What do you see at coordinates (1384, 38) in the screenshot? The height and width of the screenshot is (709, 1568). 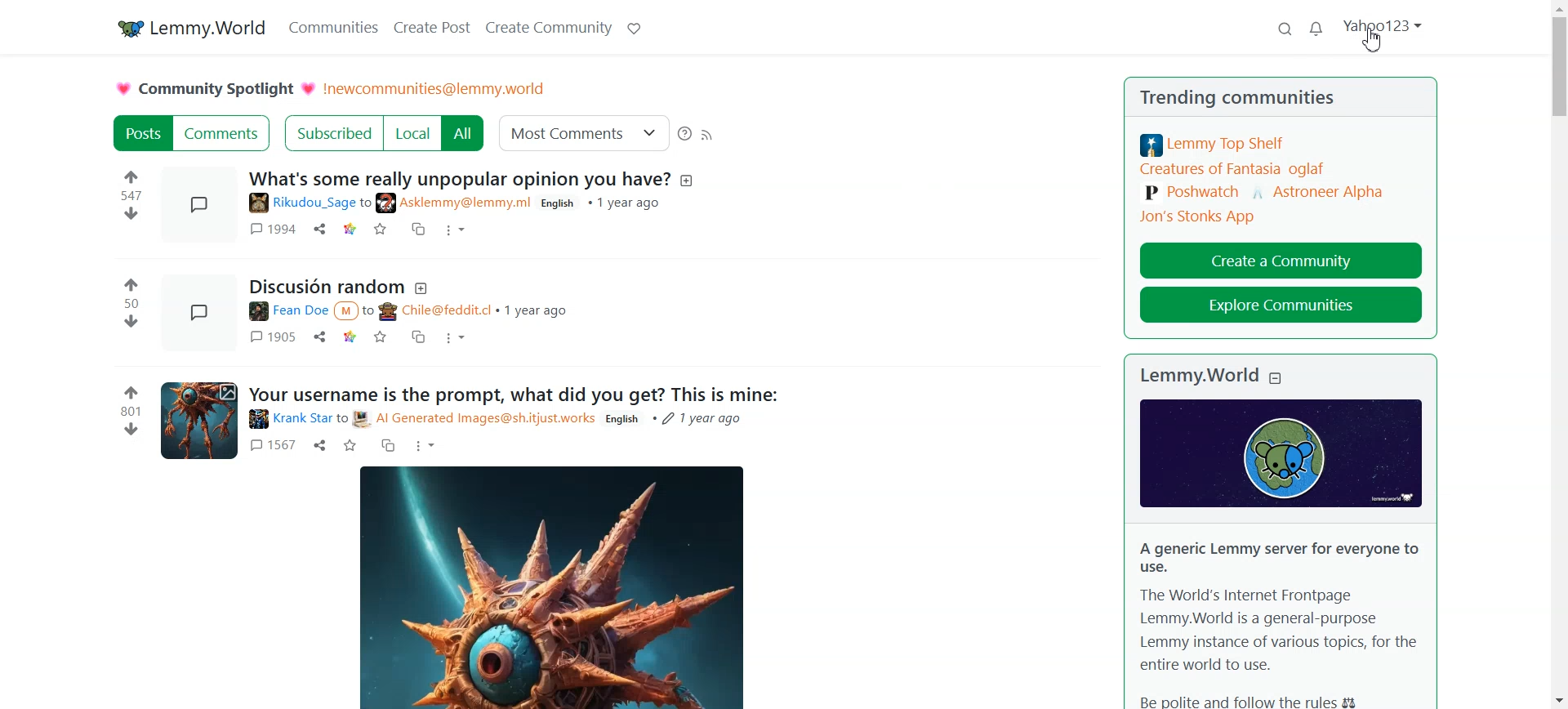 I see `yahoo123` at bounding box center [1384, 38].